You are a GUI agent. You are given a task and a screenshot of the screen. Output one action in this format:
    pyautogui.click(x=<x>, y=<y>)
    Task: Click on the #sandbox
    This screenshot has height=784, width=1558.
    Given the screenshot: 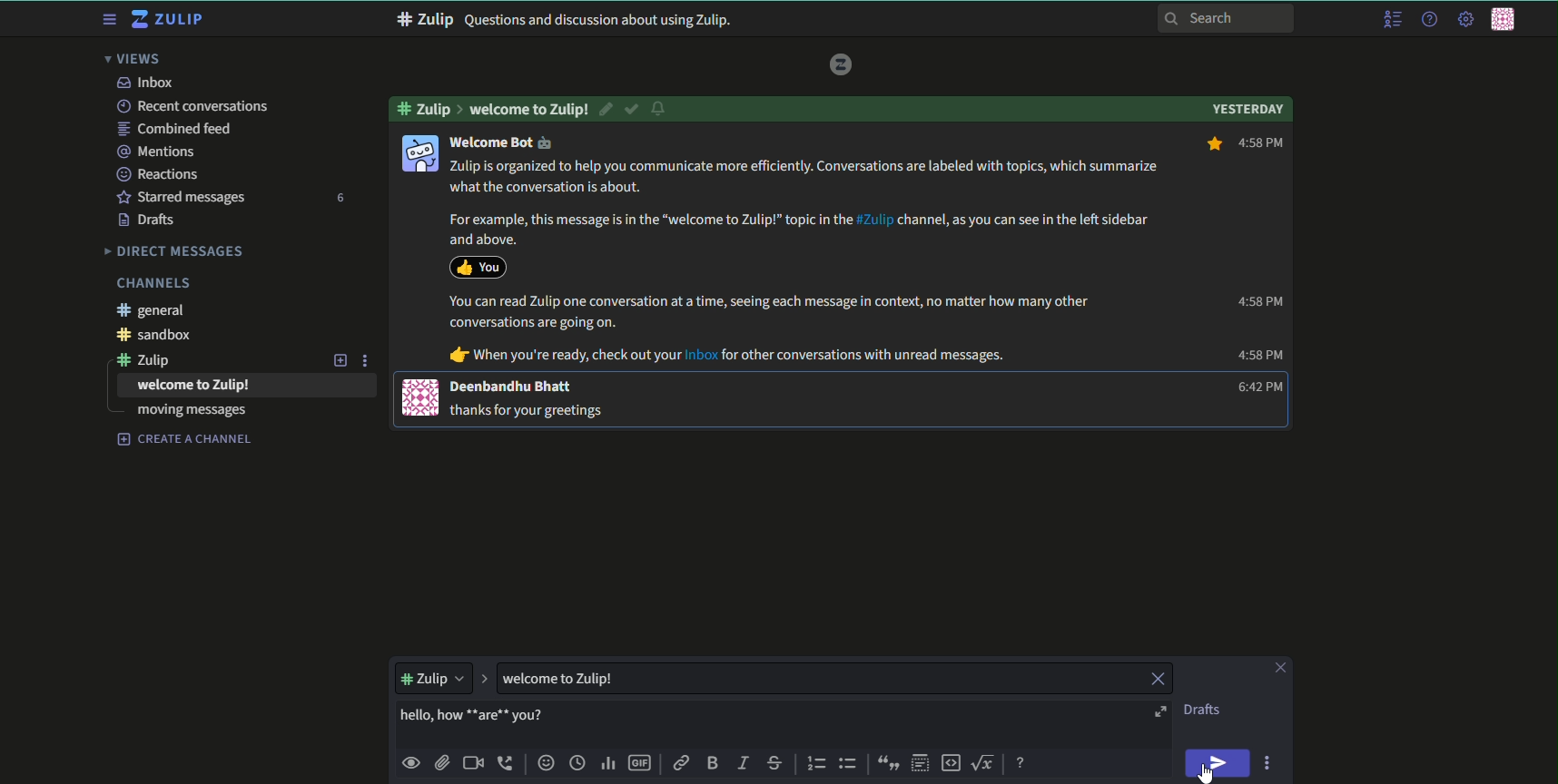 What is the action you would take?
    pyautogui.click(x=161, y=336)
    